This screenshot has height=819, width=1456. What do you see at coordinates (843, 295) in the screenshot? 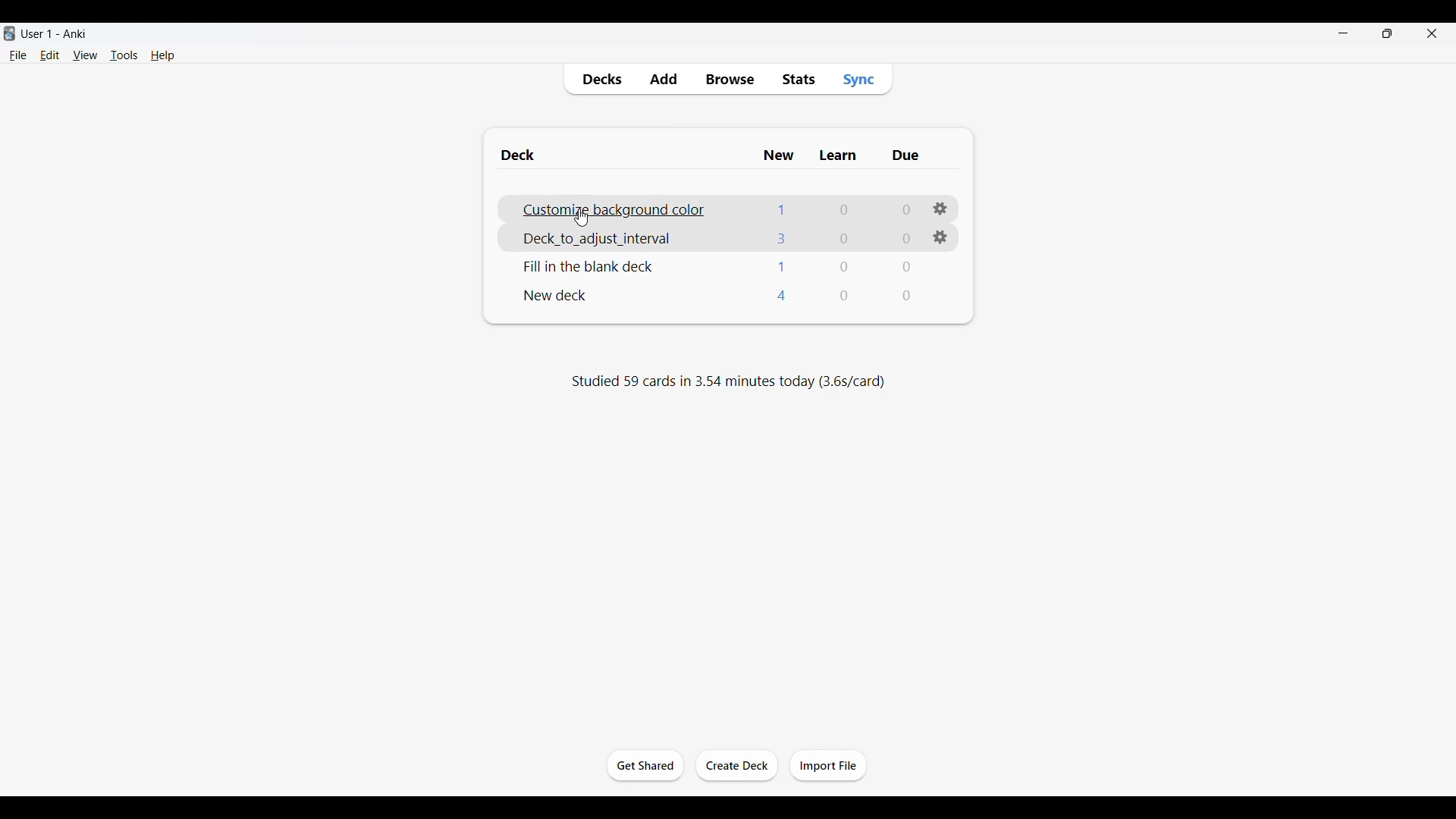
I see `Details specific to each column and deck` at bounding box center [843, 295].